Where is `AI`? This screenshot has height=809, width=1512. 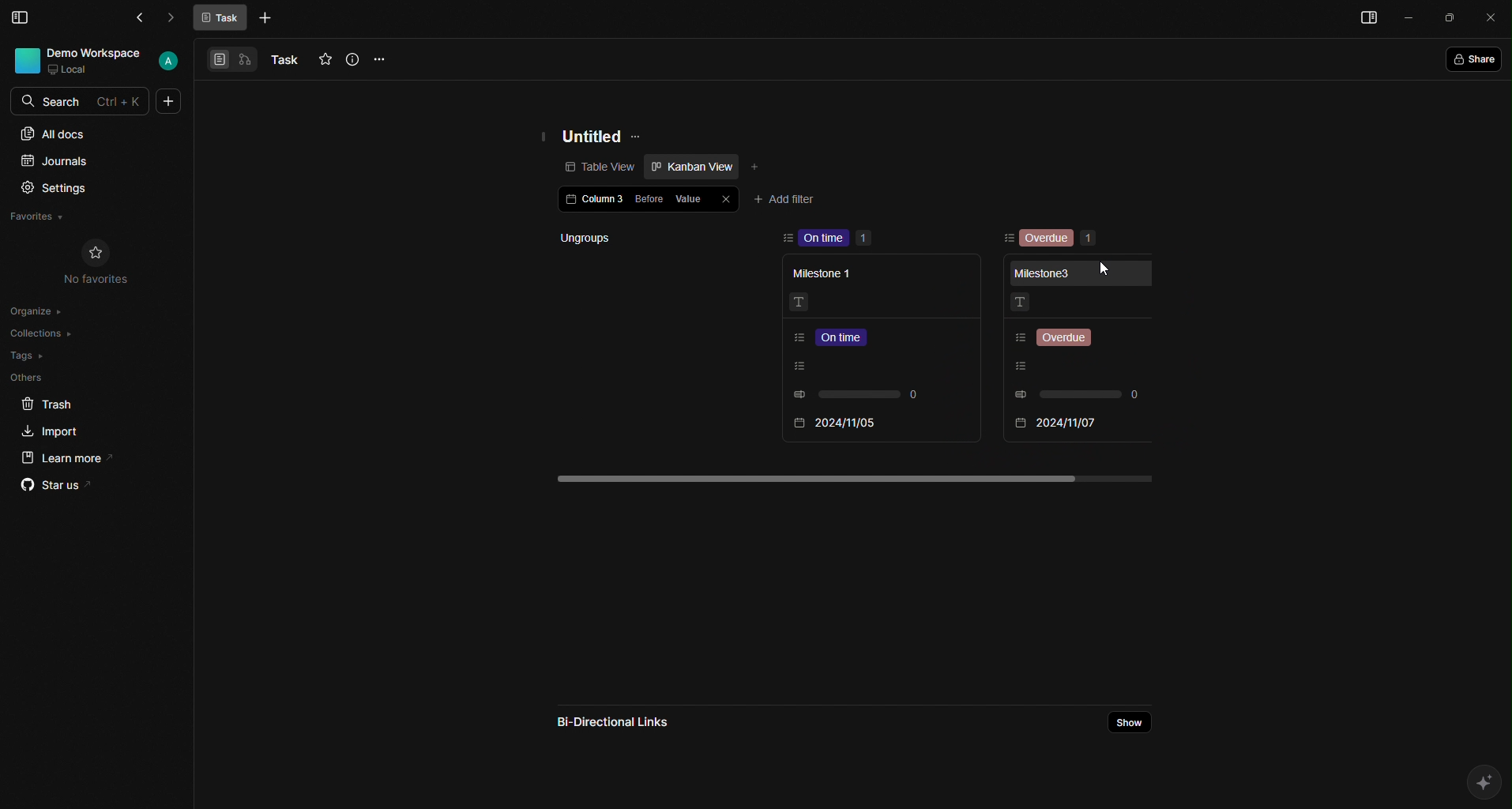
AI is located at coordinates (1486, 785).